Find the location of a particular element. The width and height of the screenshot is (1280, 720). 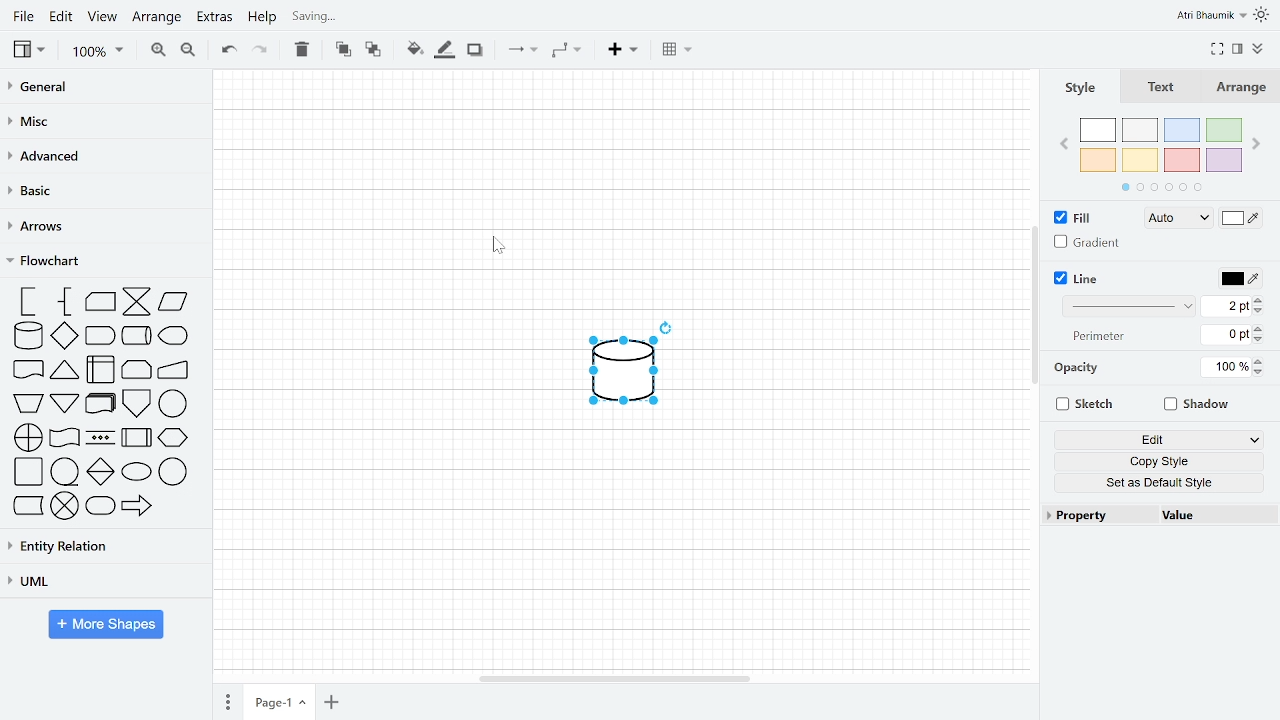

direct data is located at coordinates (136, 337).